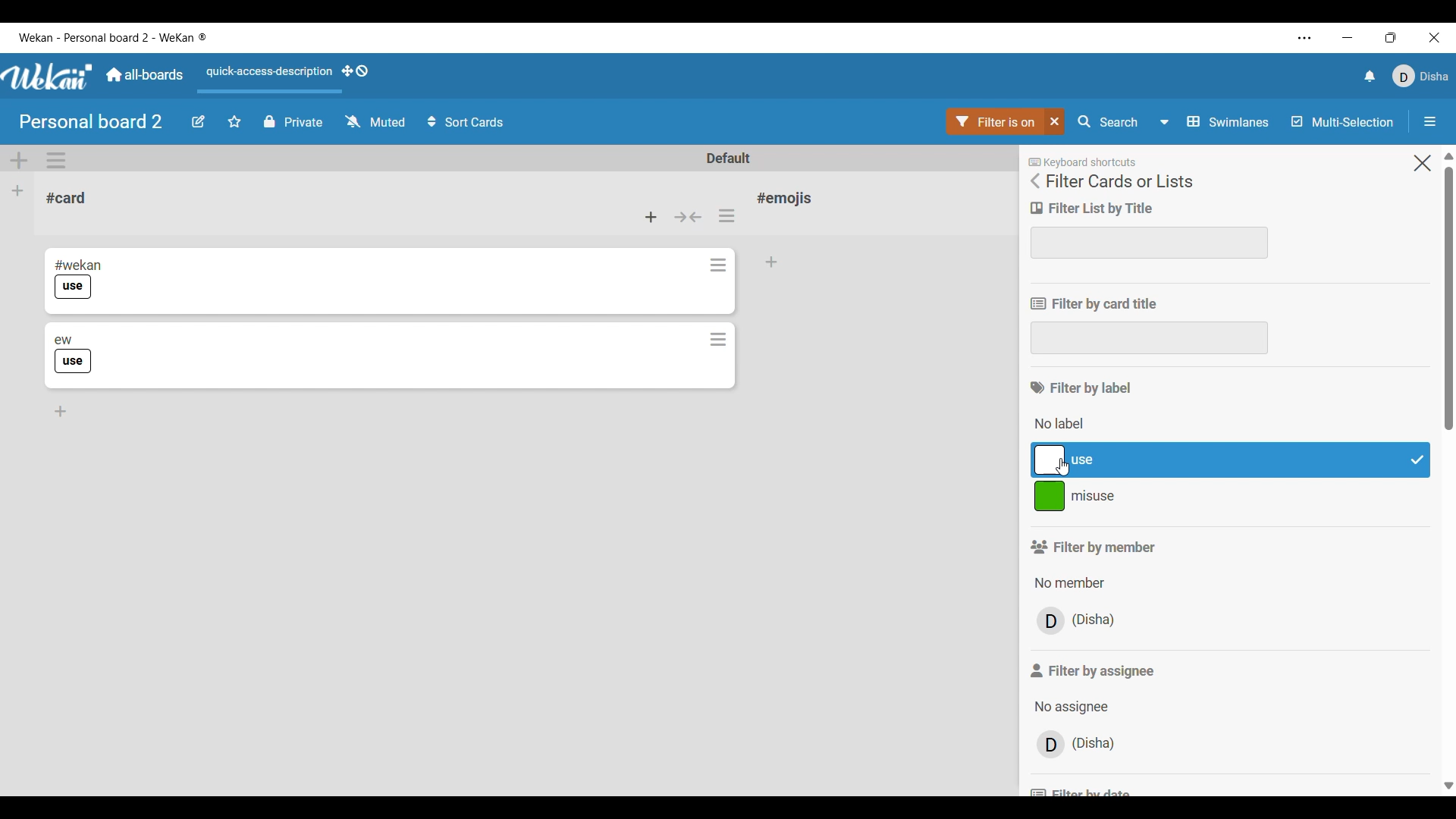 This screenshot has width=1456, height=819. What do you see at coordinates (1150, 243) in the screenshot?
I see `Text box to enter filter` at bounding box center [1150, 243].